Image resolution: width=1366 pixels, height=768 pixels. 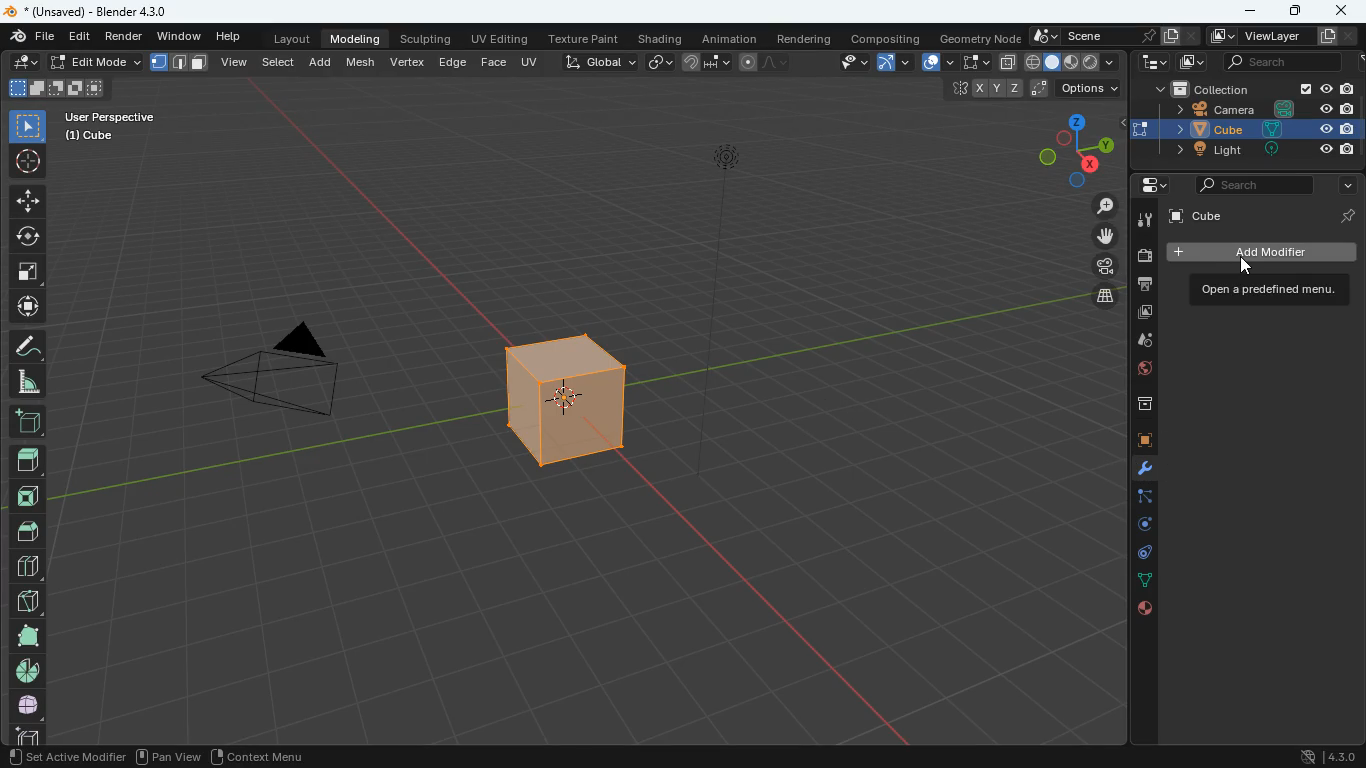 I want to click on context, so click(x=273, y=756).